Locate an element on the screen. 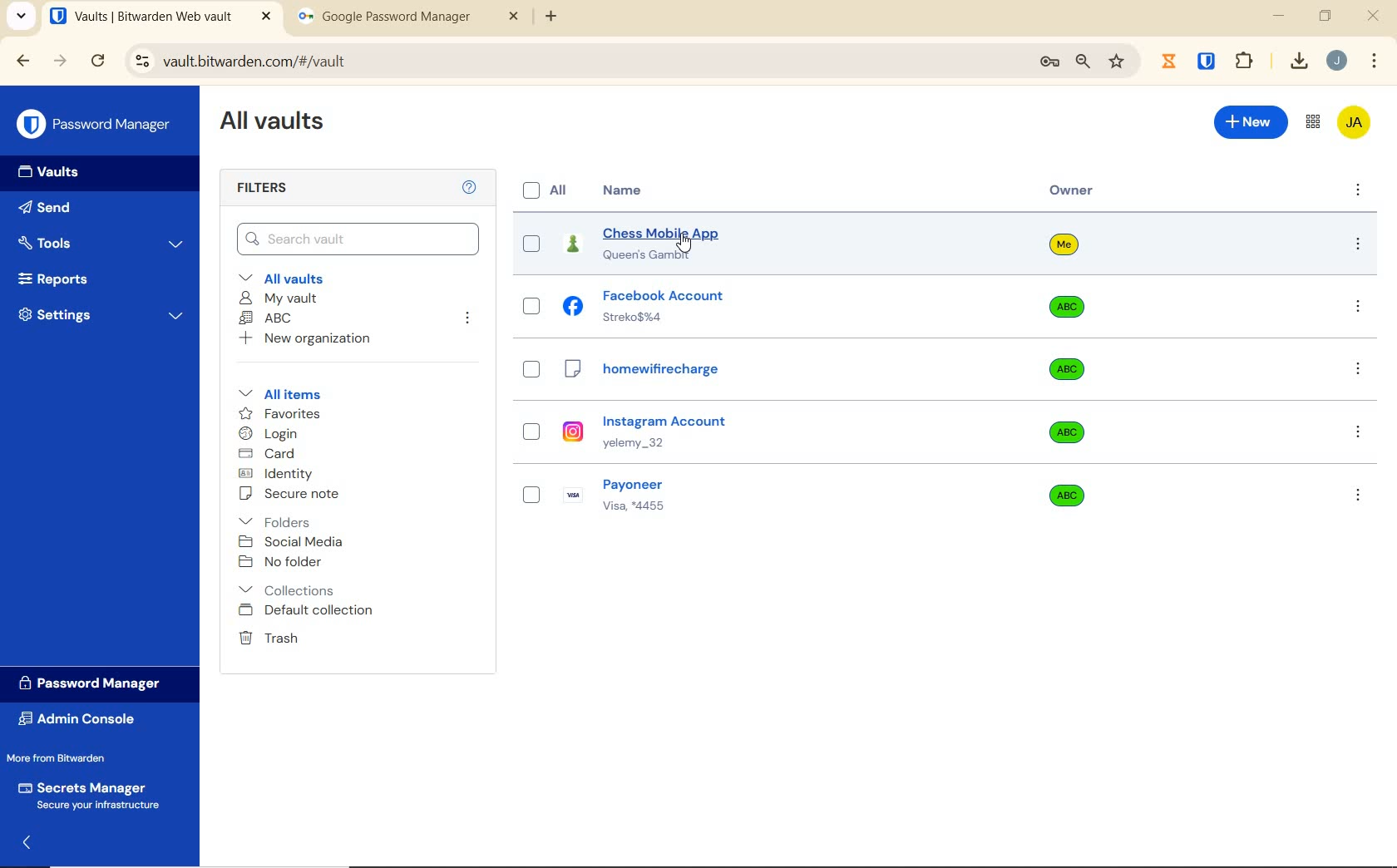 The height and width of the screenshot is (868, 1397). close is located at coordinates (1375, 18).